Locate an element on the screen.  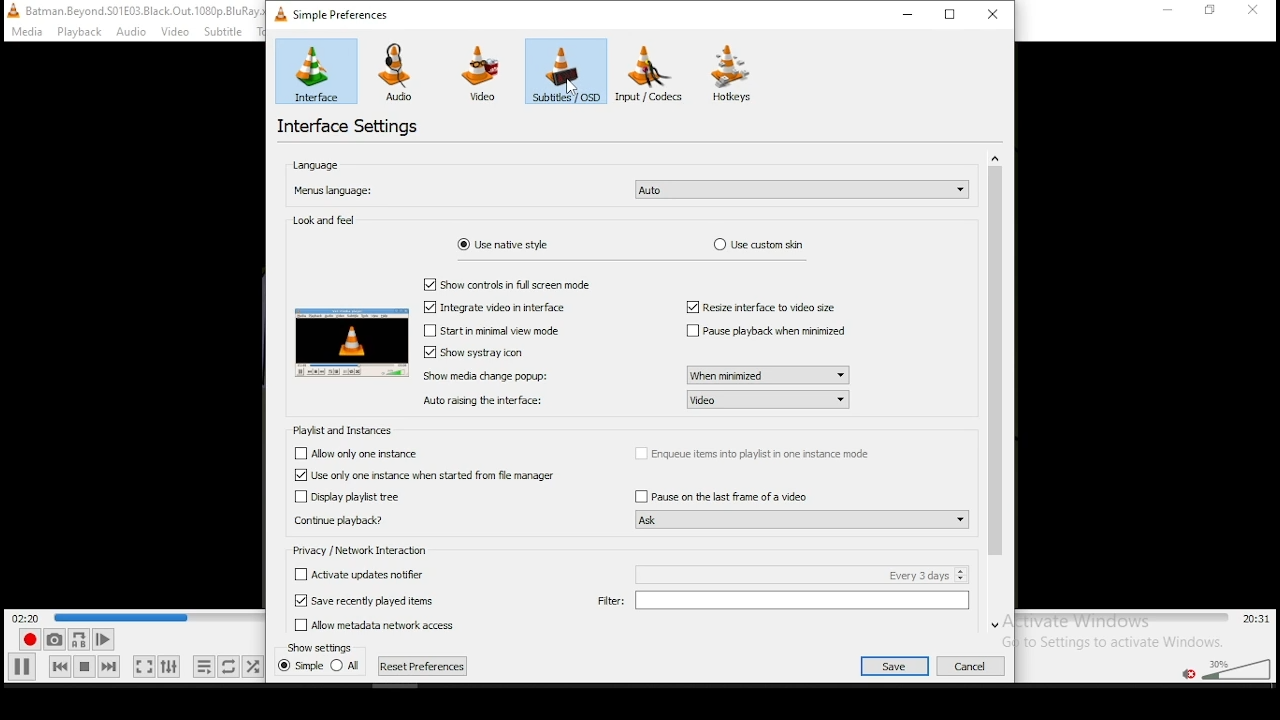
minimize is located at coordinates (1170, 10).